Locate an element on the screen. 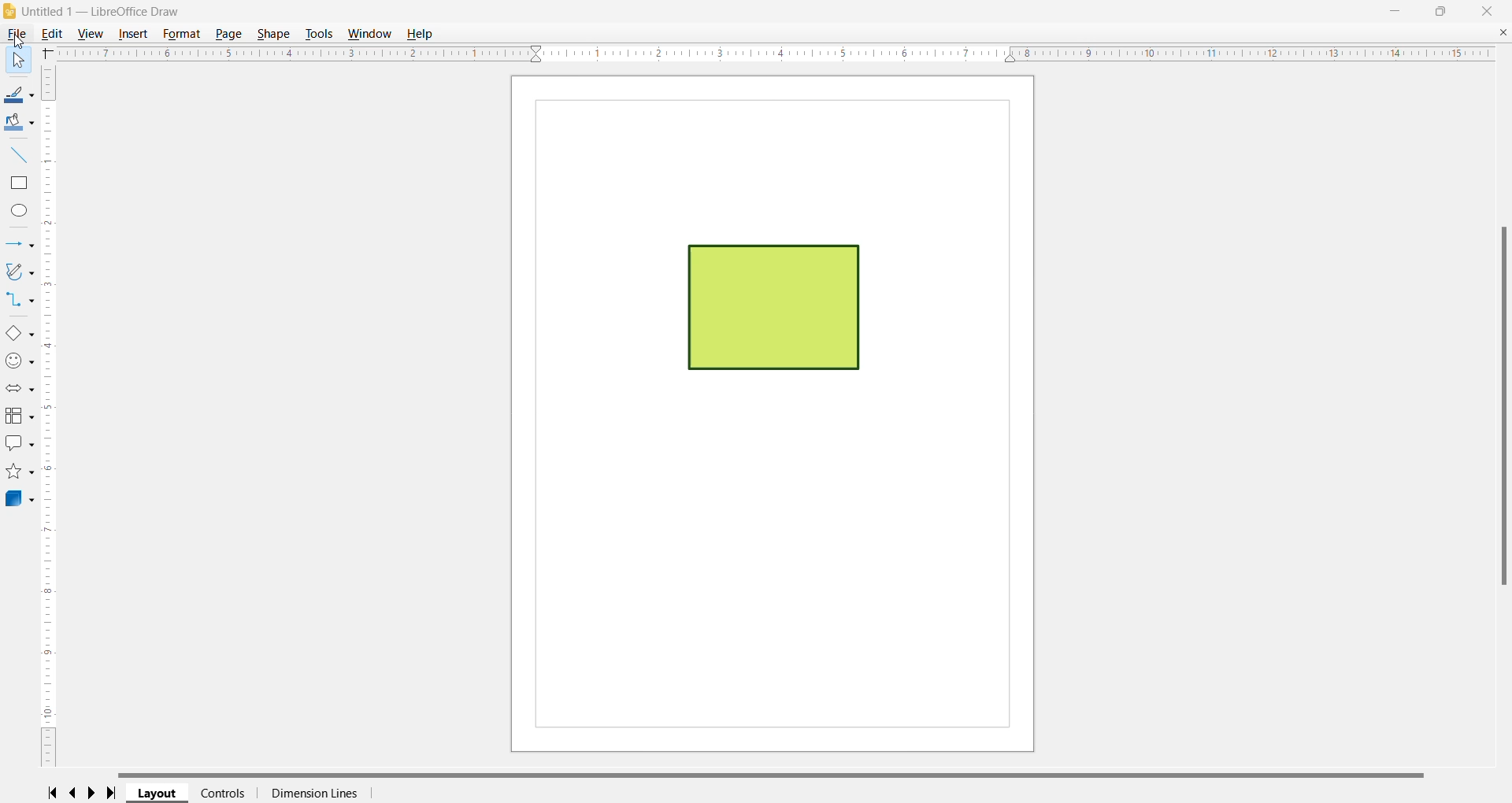  Scroll to next page is located at coordinates (95, 793).